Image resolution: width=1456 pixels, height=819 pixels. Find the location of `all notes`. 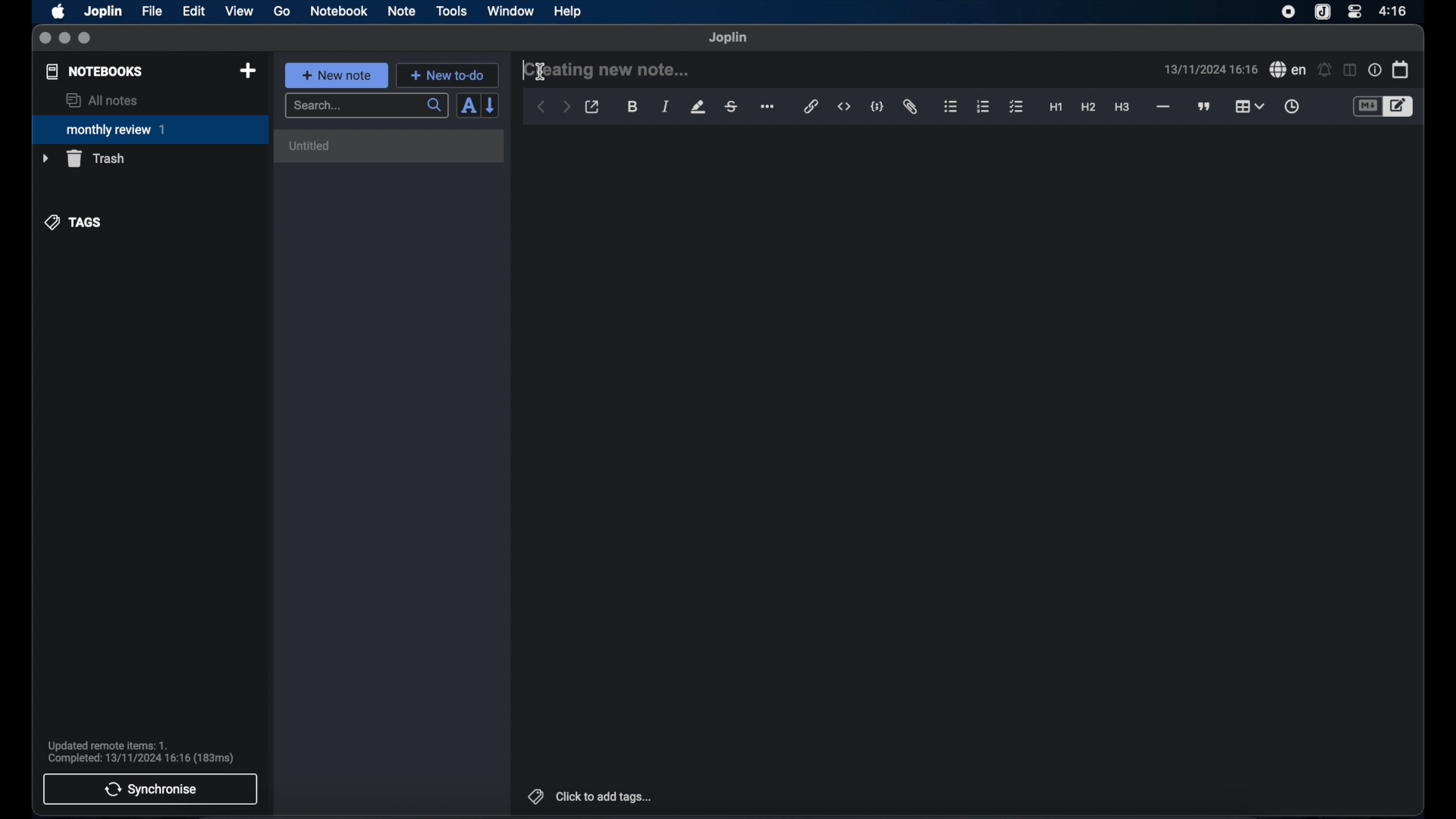

all notes is located at coordinates (102, 100).